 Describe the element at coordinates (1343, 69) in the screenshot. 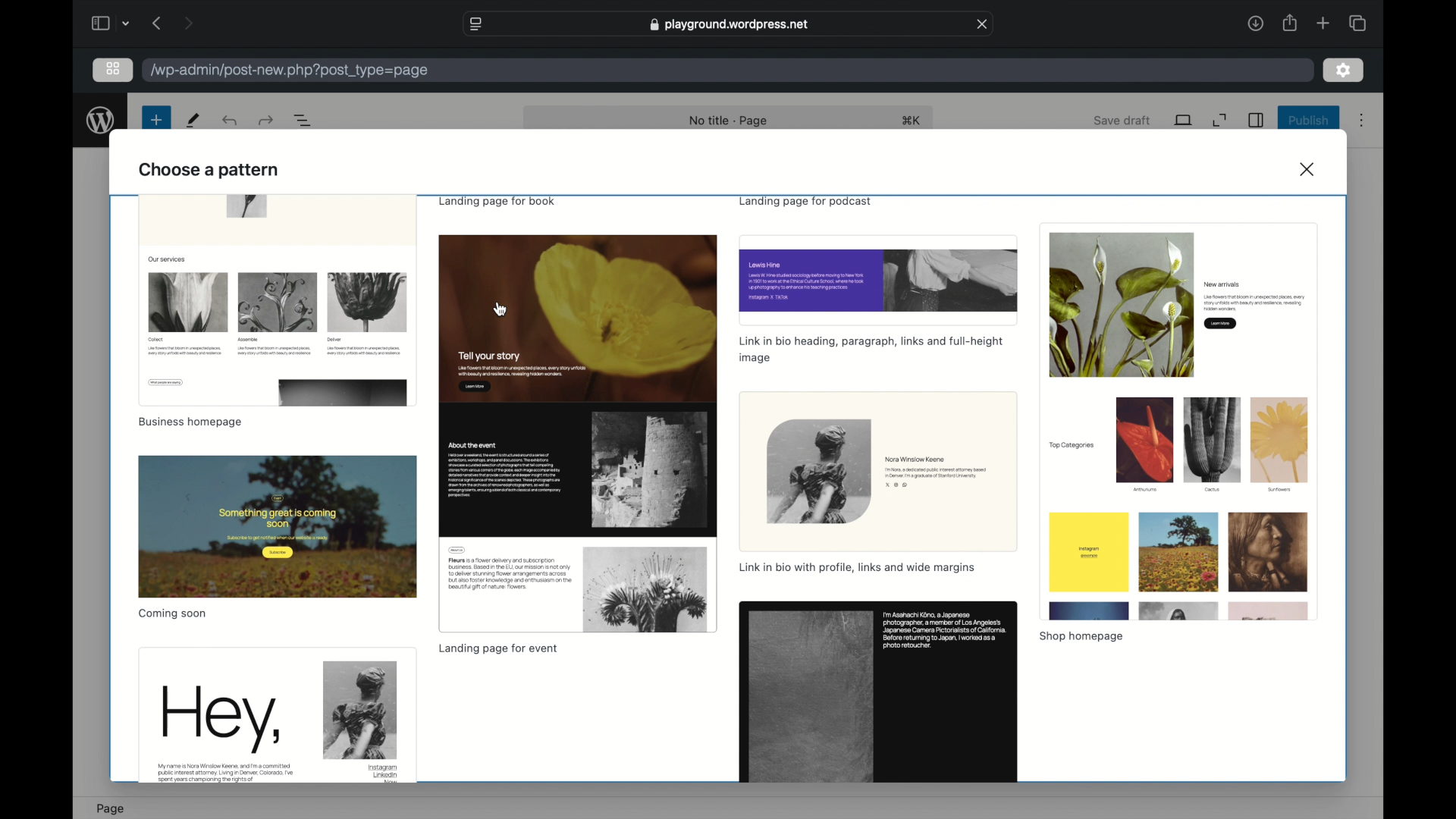

I see `settings` at that location.